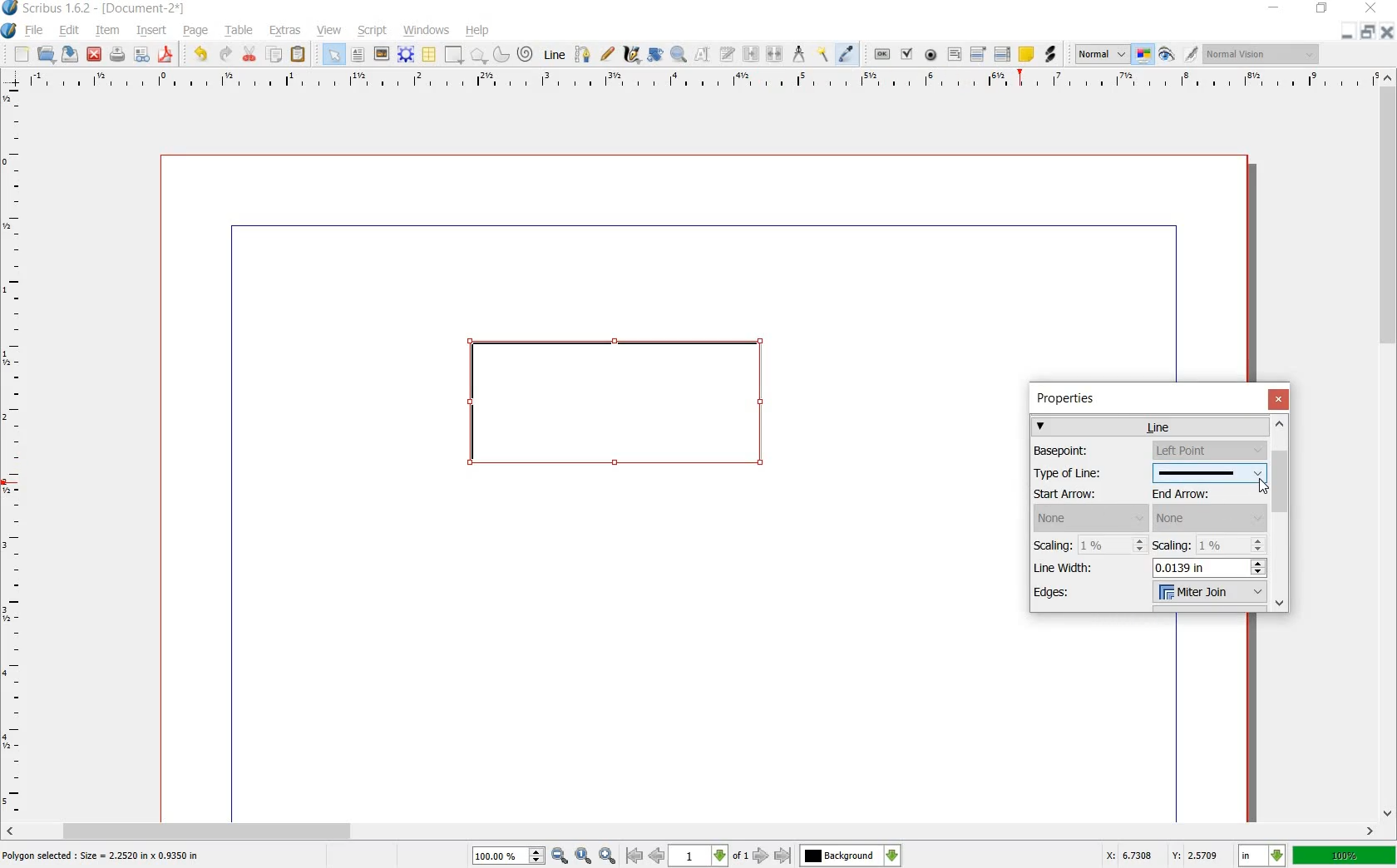 Image resolution: width=1397 pixels, height=868 pixels. What do you see at coordinates (1210, 568) in the screenshot?
I see `0.0139 in` at bounding box center [1210, 568].